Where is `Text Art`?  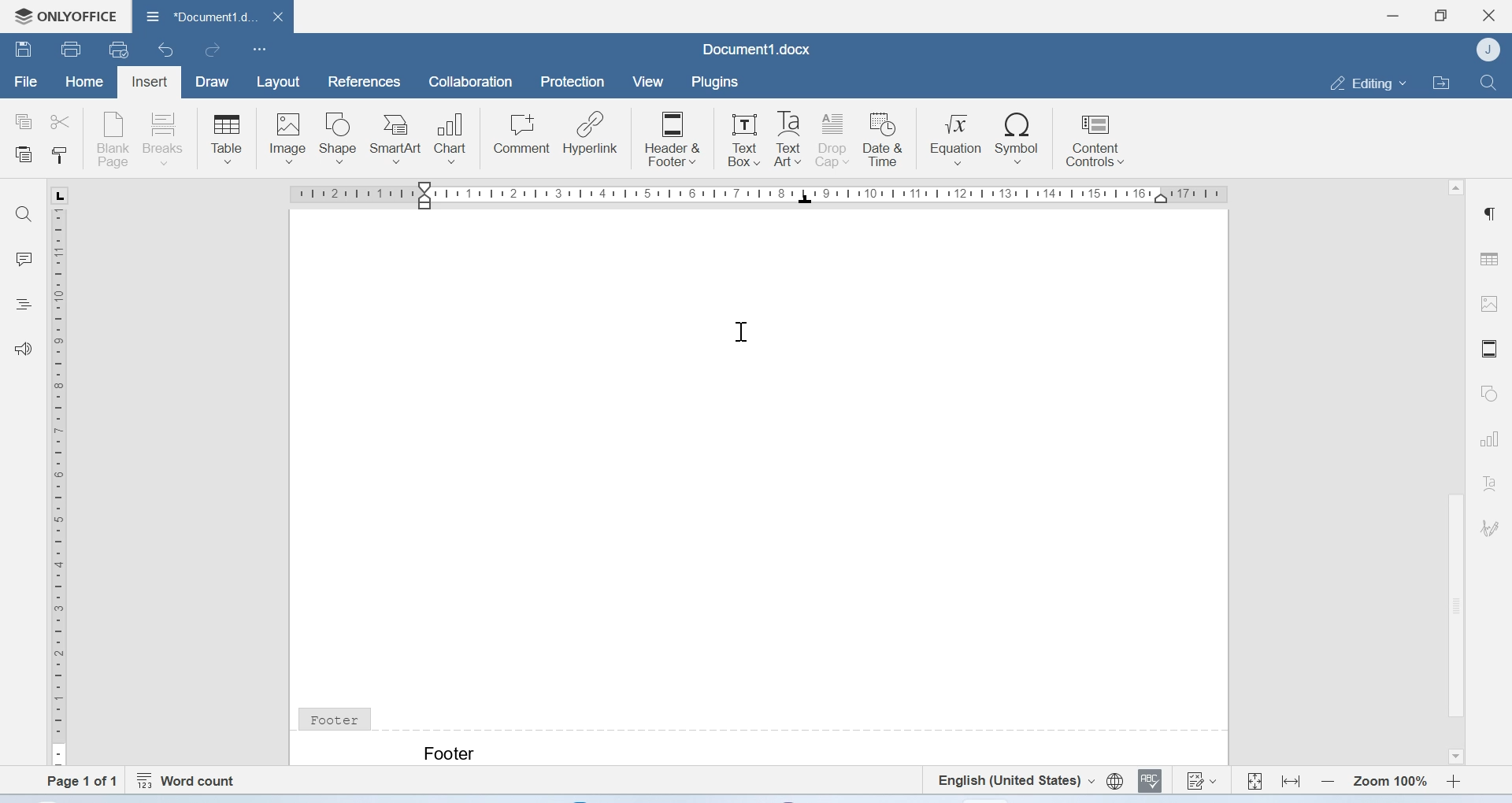 Text Art is located at coordinates (788, 140).